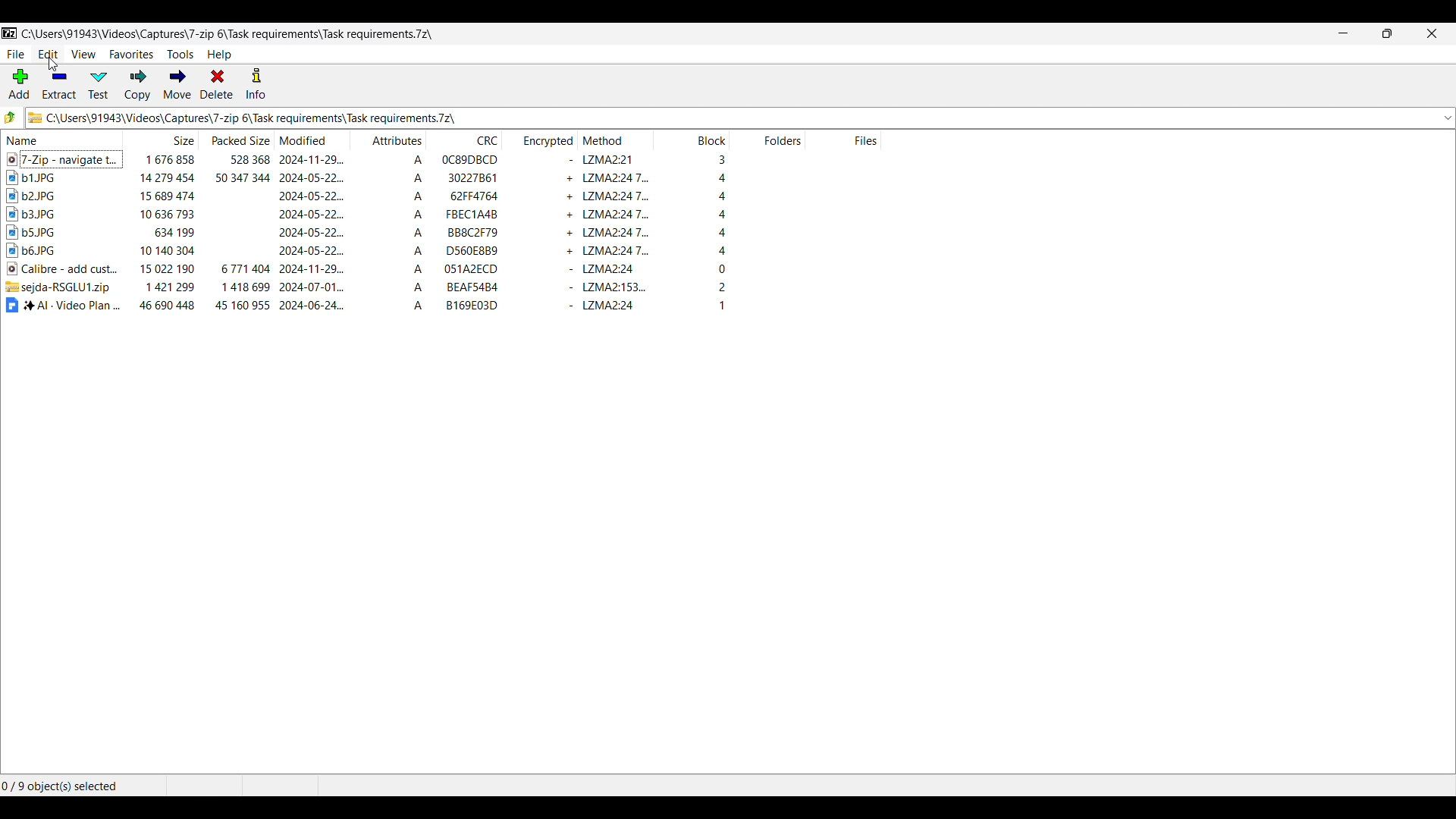  Describe the element at coordinates (180, 55) in the screenshot. I see `Tools menu` at that location.